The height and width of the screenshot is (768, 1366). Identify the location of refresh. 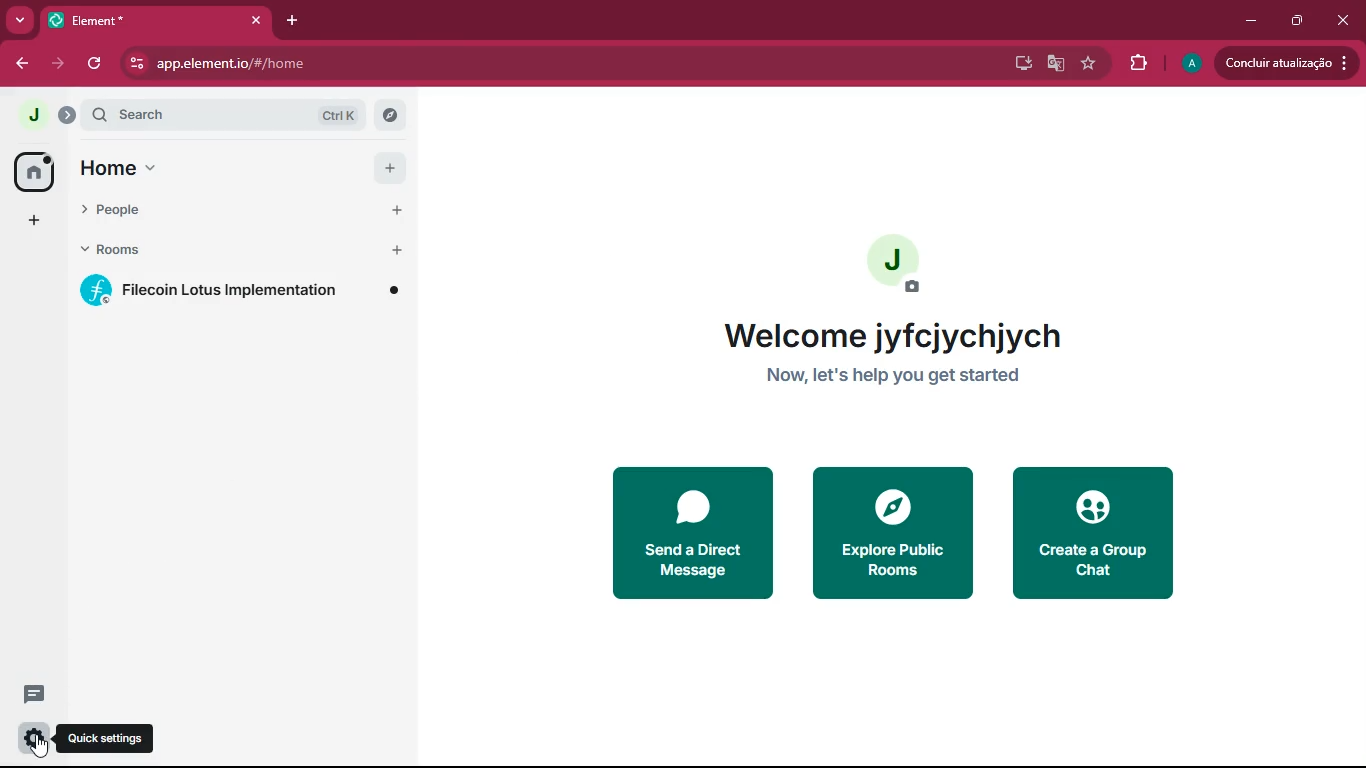
(97, 62).